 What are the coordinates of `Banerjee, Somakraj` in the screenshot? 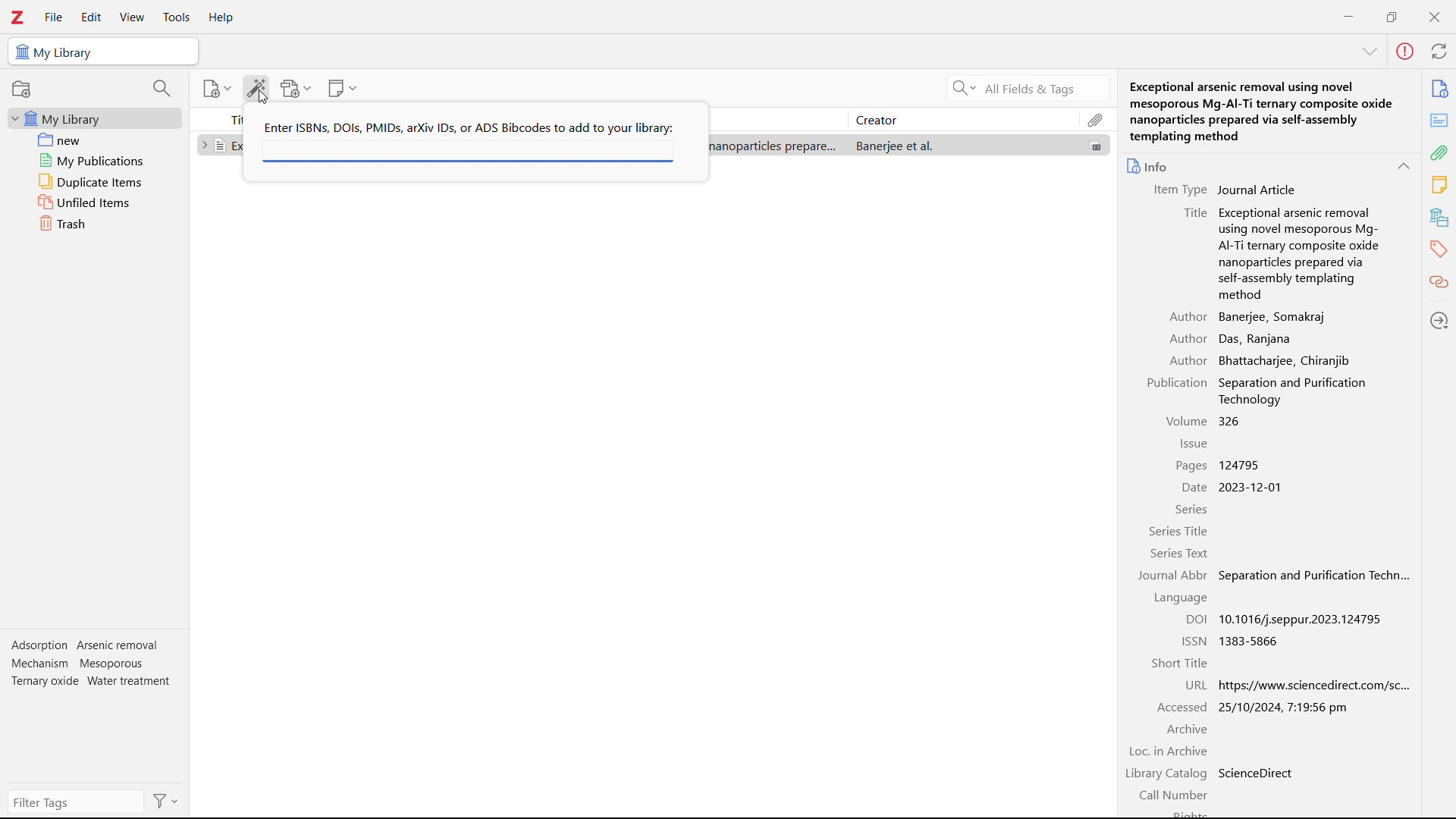 It's located at (1274, 317).